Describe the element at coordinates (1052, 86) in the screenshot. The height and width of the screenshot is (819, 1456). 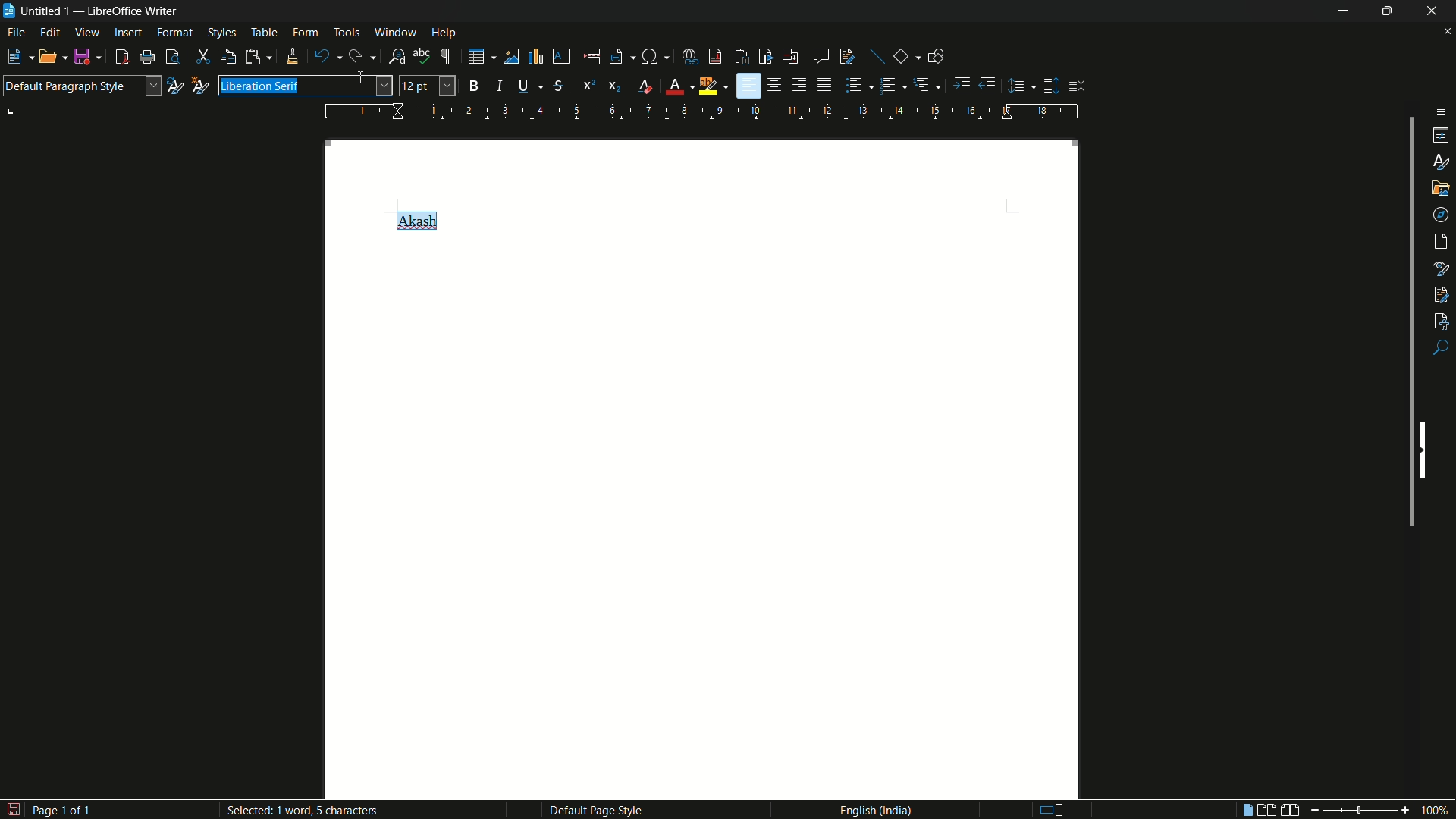
I see `increase paragraph spacing` at that location.